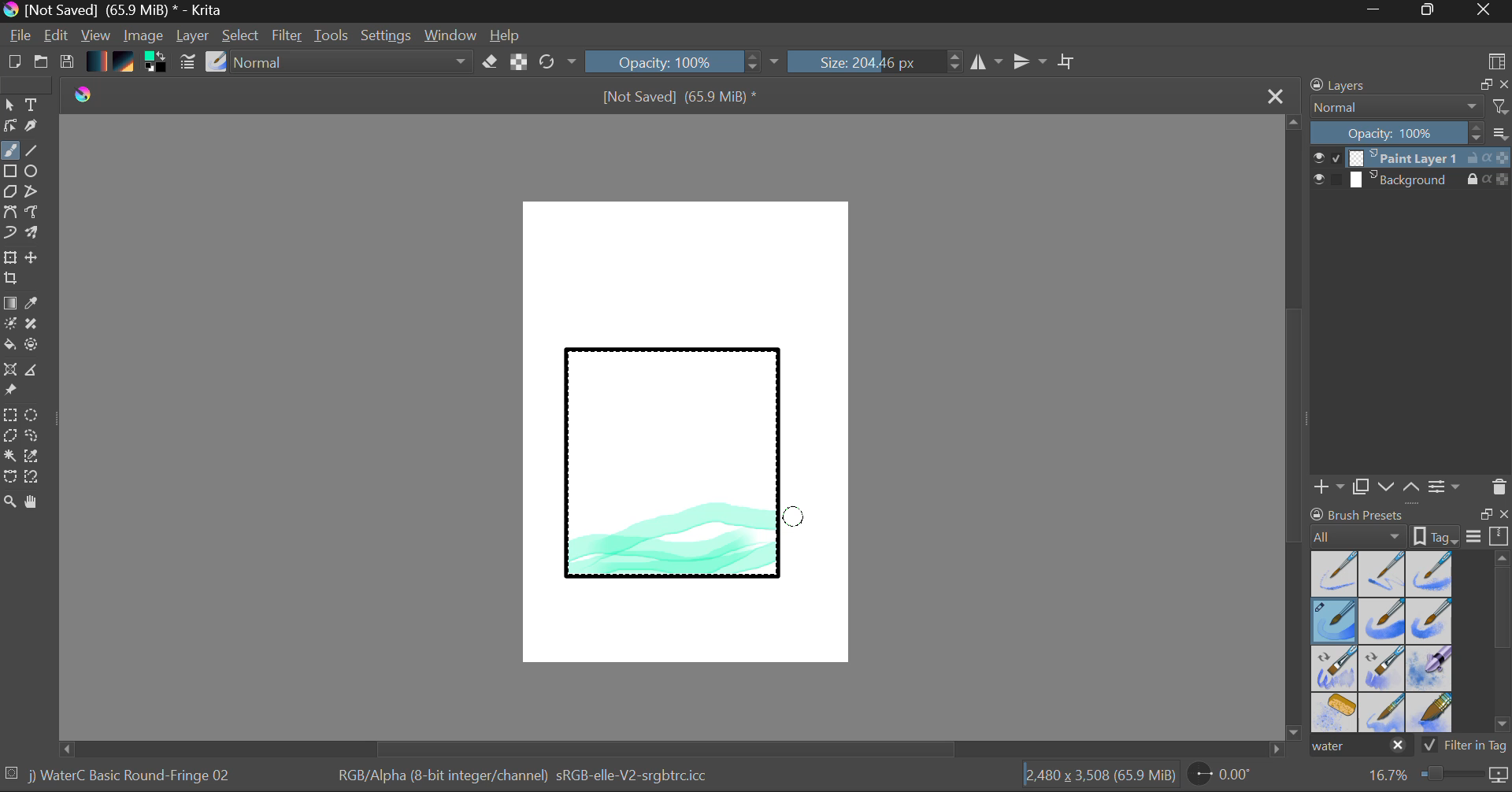  What do you see at coordinates (1407, 83) in the screenshot?
I see `Layers Docket Tab` at bounding box center [1407, 83].